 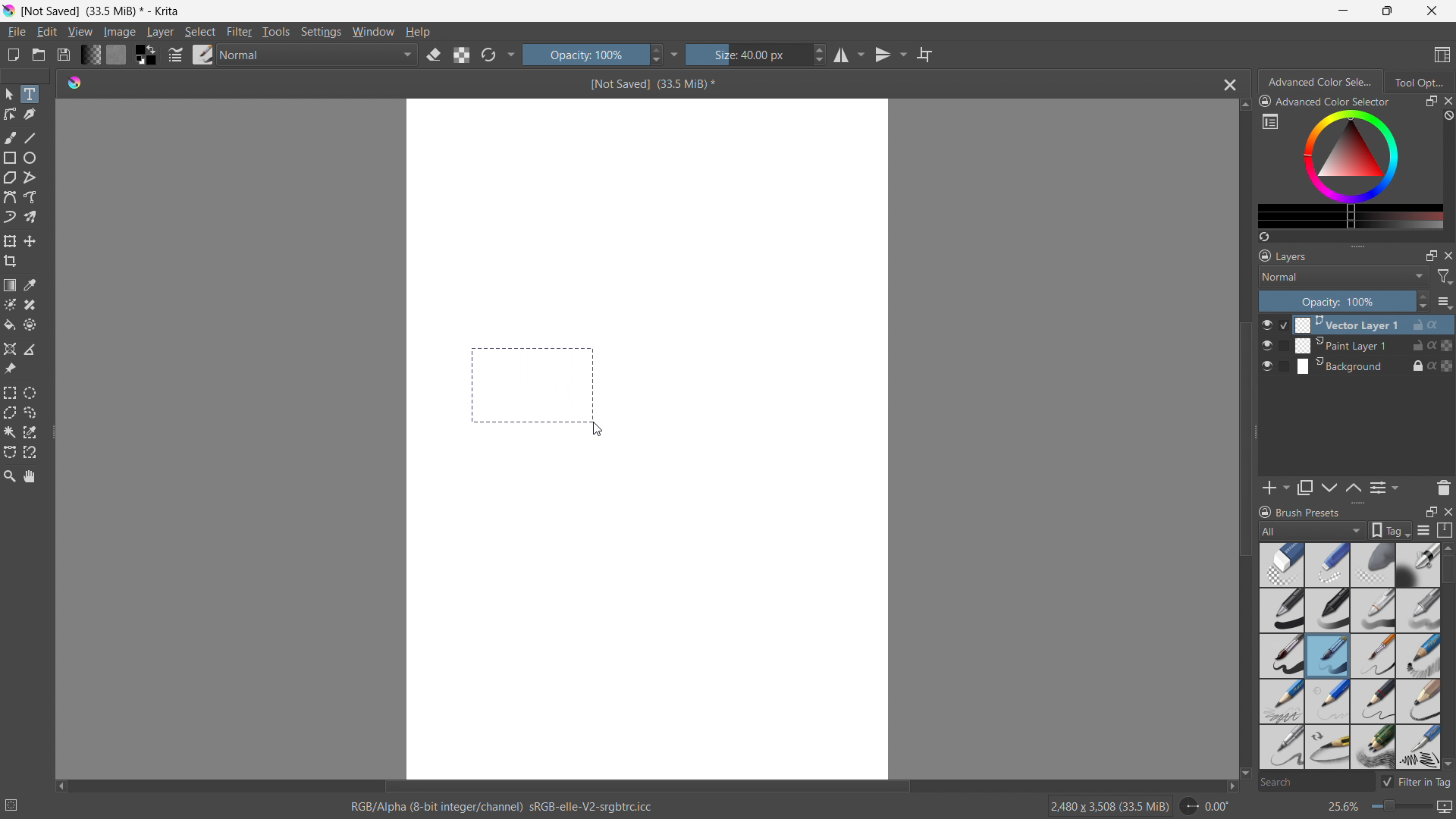 I want to click on rectangle tool, so click(x=11, y=158).